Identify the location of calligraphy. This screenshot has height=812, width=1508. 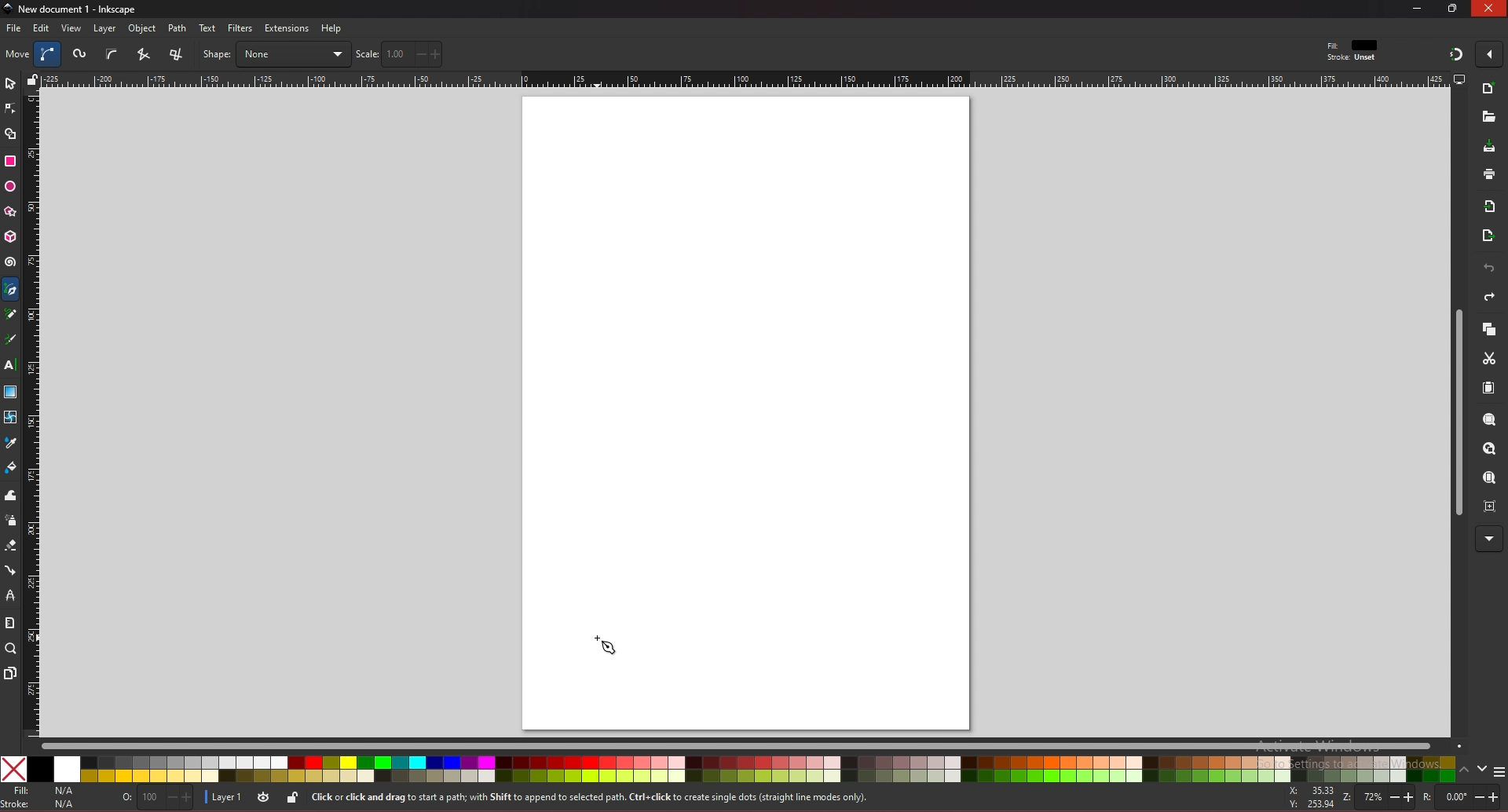
(13, 341).